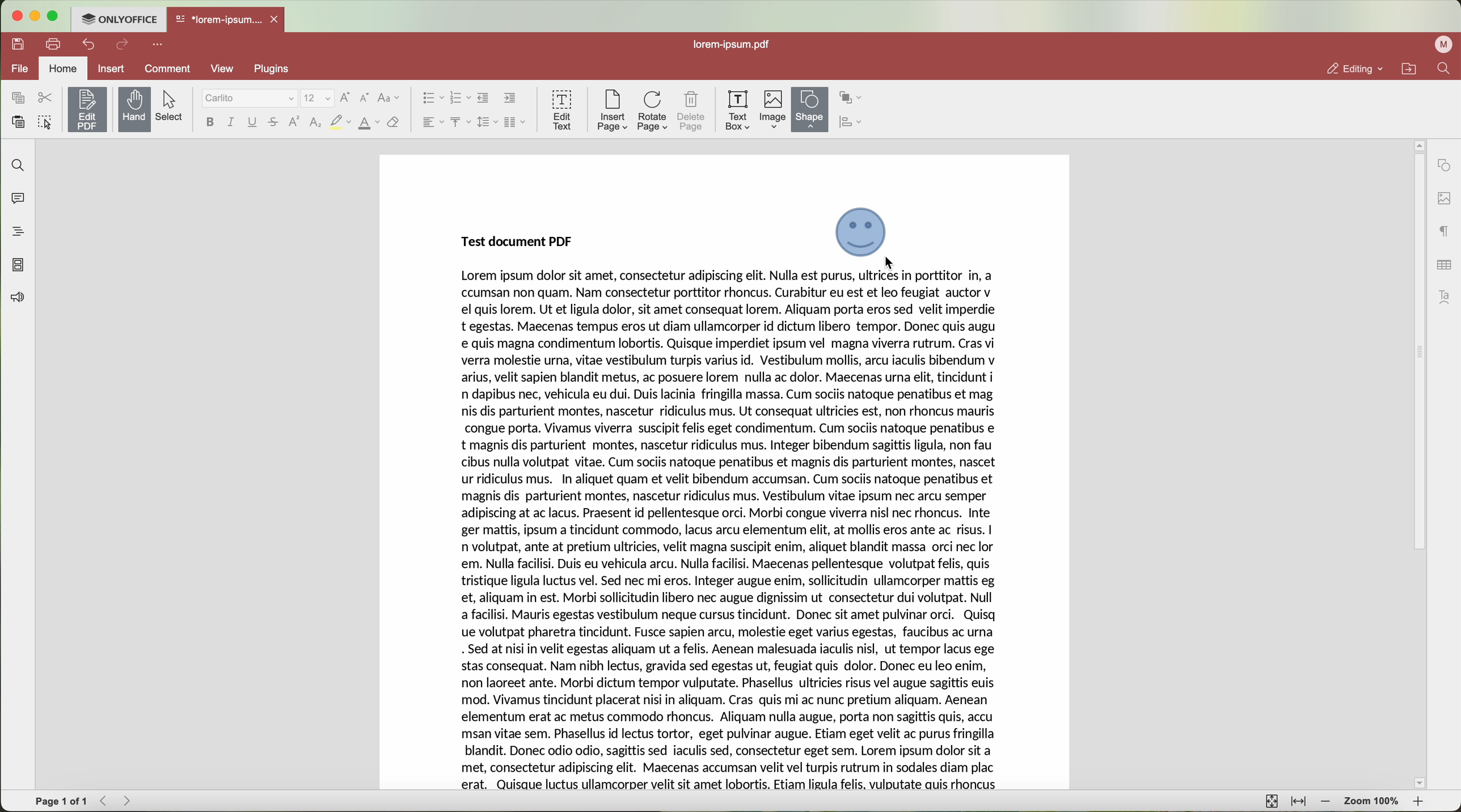  What do you see at coordinates (54, 18) in the screenshot?
I see `maximize` at bounding box center [54, 18].